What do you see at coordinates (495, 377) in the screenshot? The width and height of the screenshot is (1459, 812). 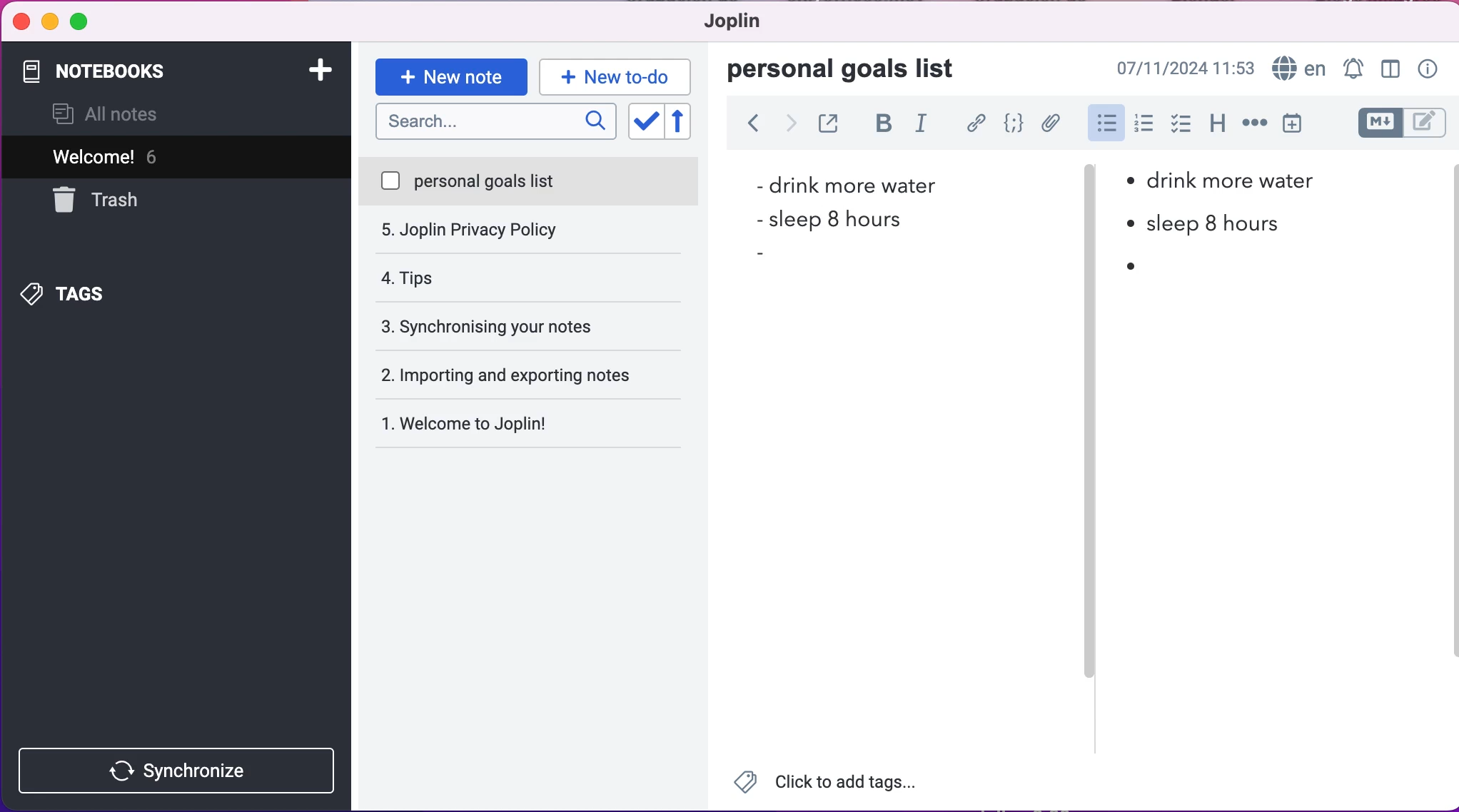 I see `welcome to joplin!` at bounding box center [495, 377].